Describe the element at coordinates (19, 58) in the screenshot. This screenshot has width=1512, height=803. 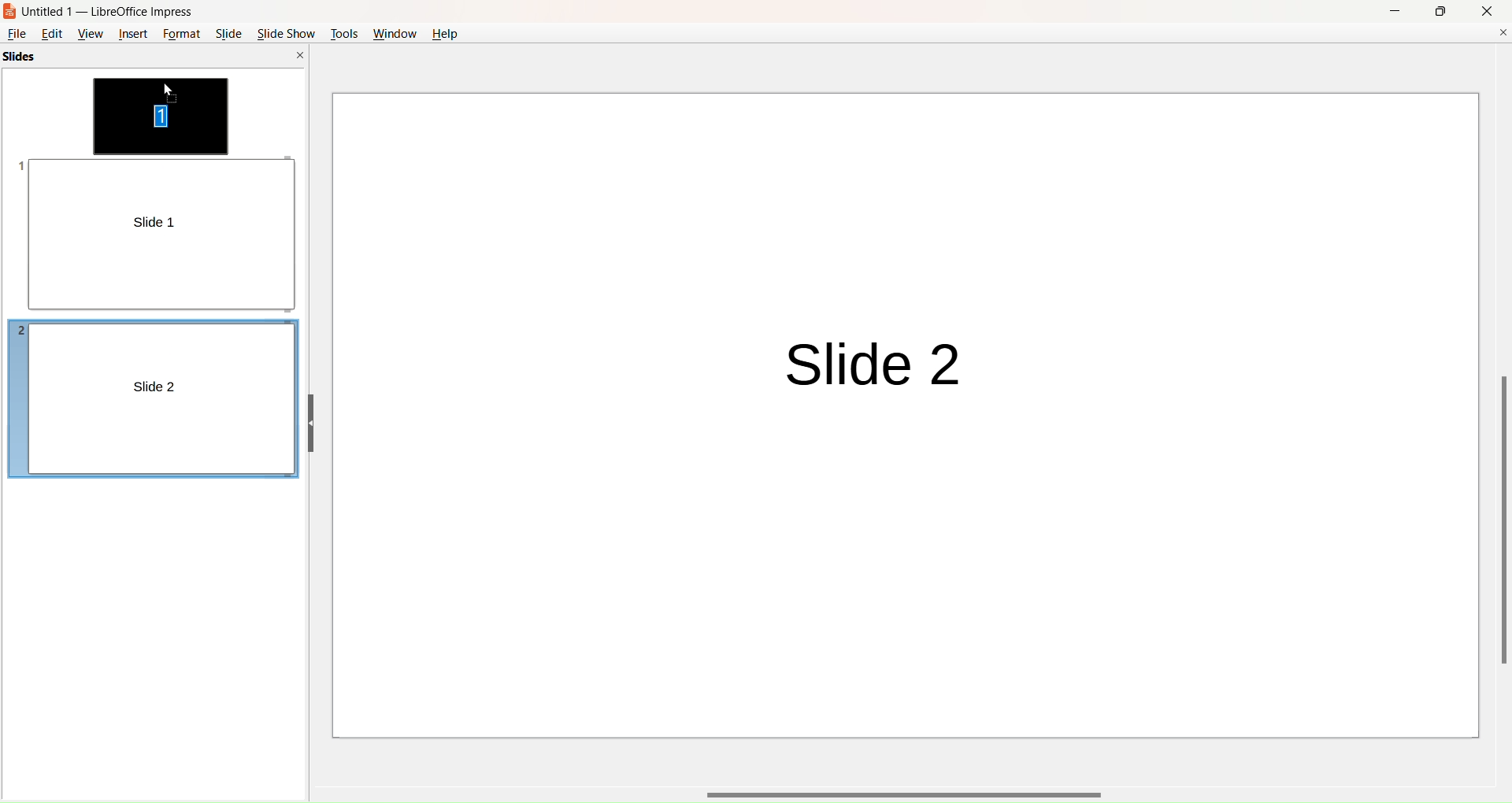
I see `slides` at that location.